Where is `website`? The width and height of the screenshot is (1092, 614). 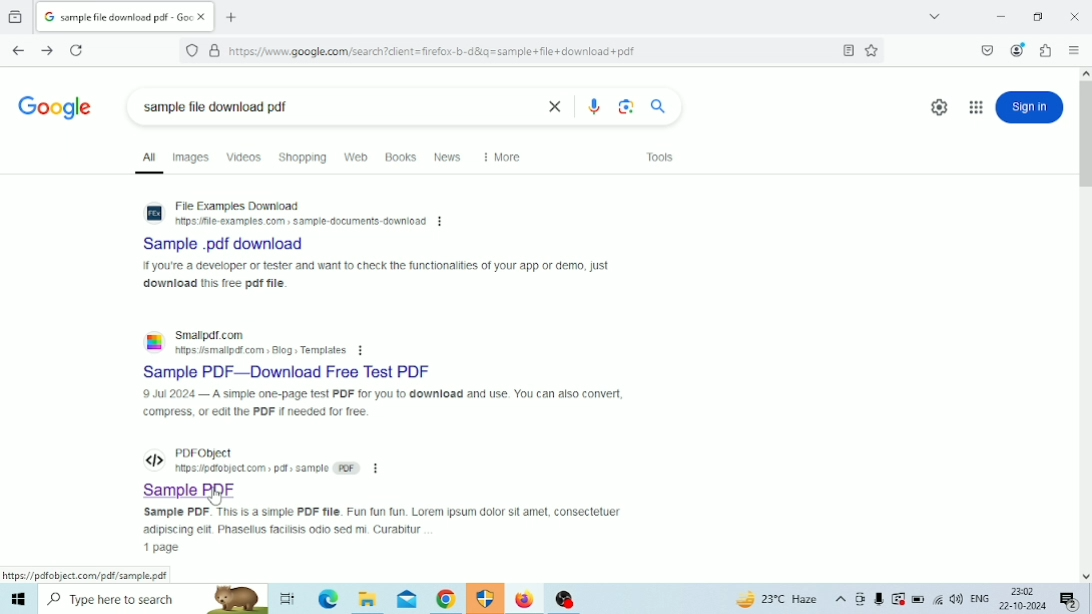 website is located at coordinates (204, 452).